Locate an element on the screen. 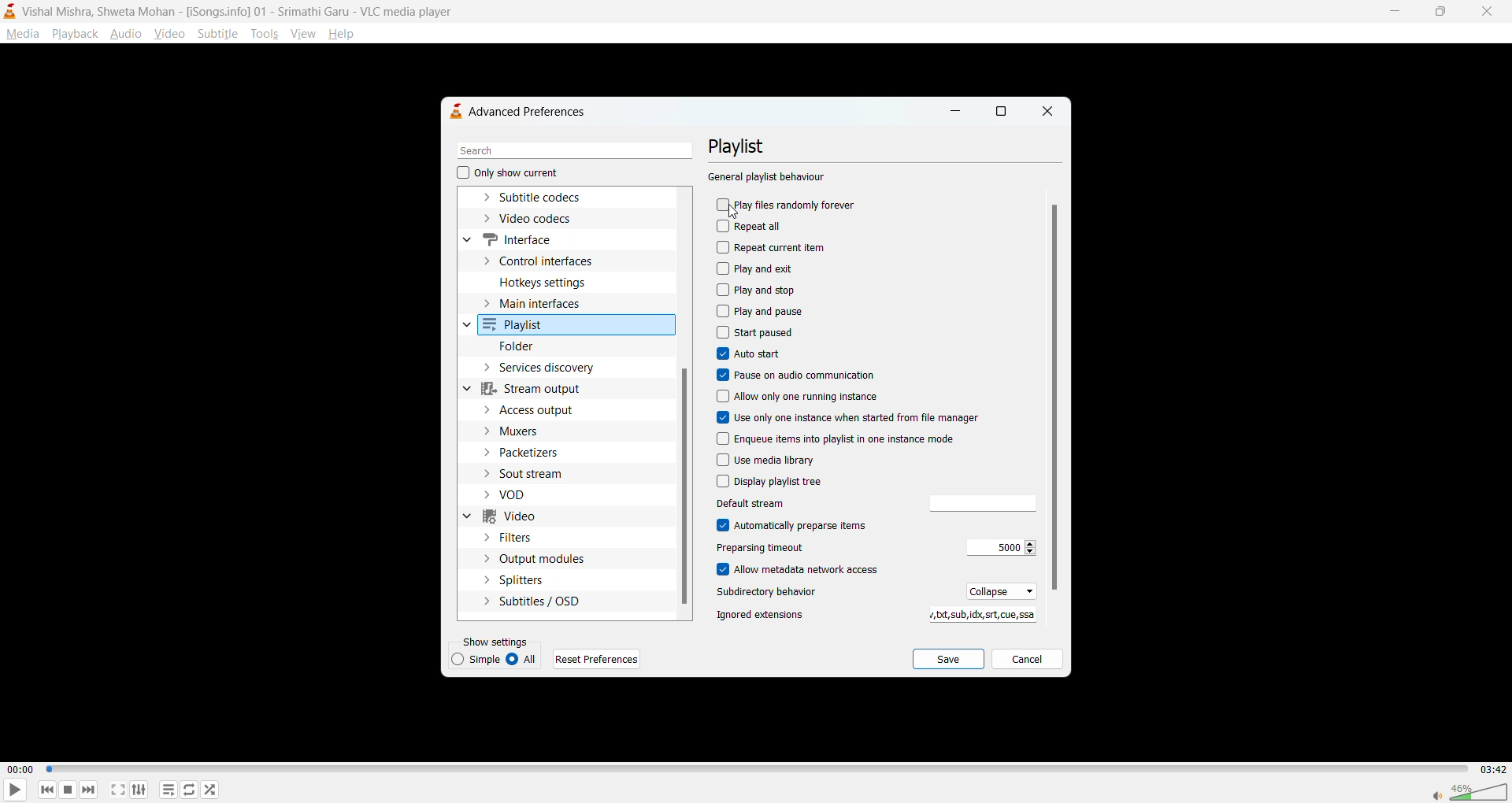  maximize is located at coordinates (1002, 113).